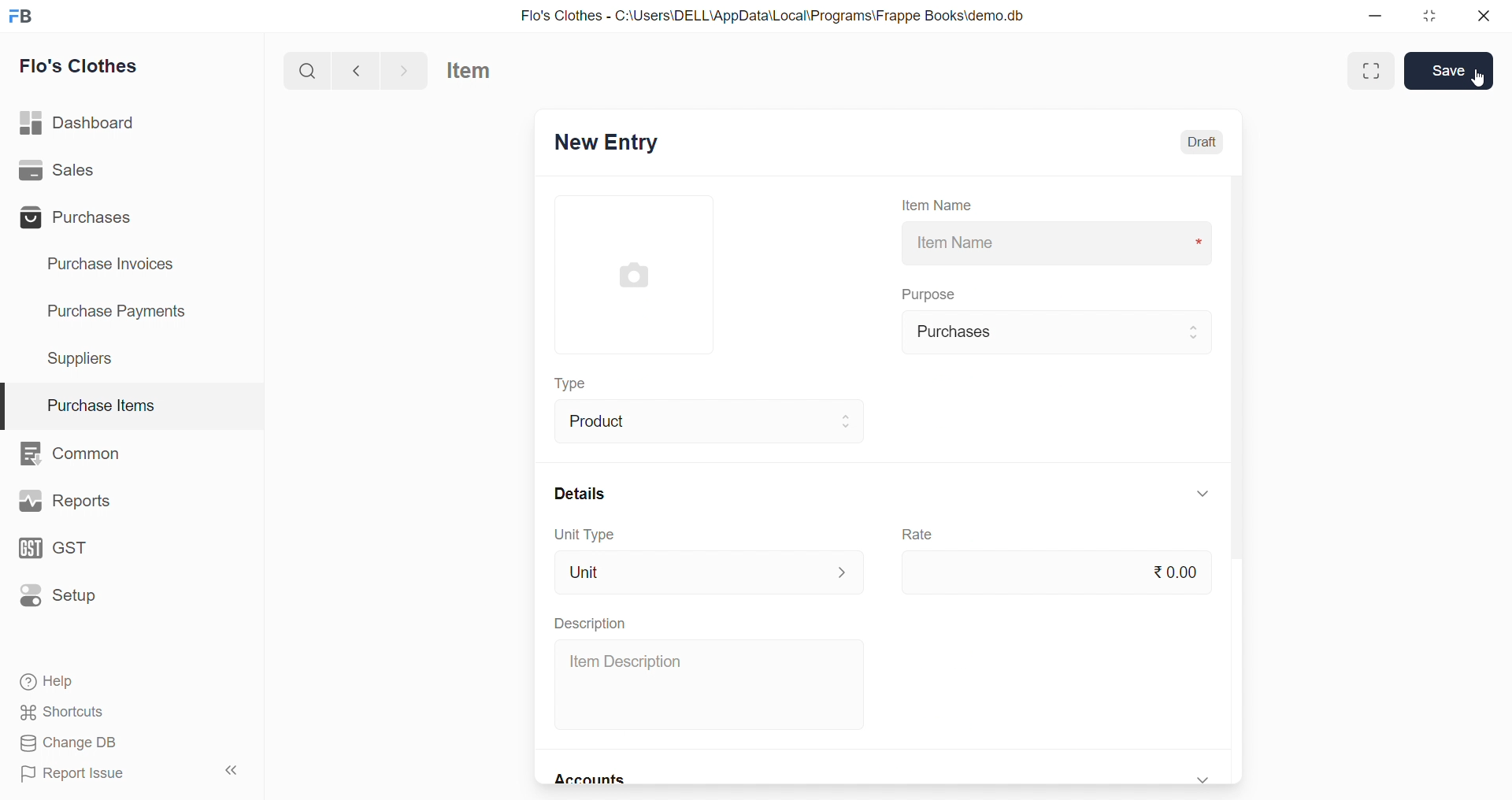 The height and width of the screenshot is (800, 1512). Describe the element at coordinates (20, 17) in the screenshot. I see `logo` at that location.